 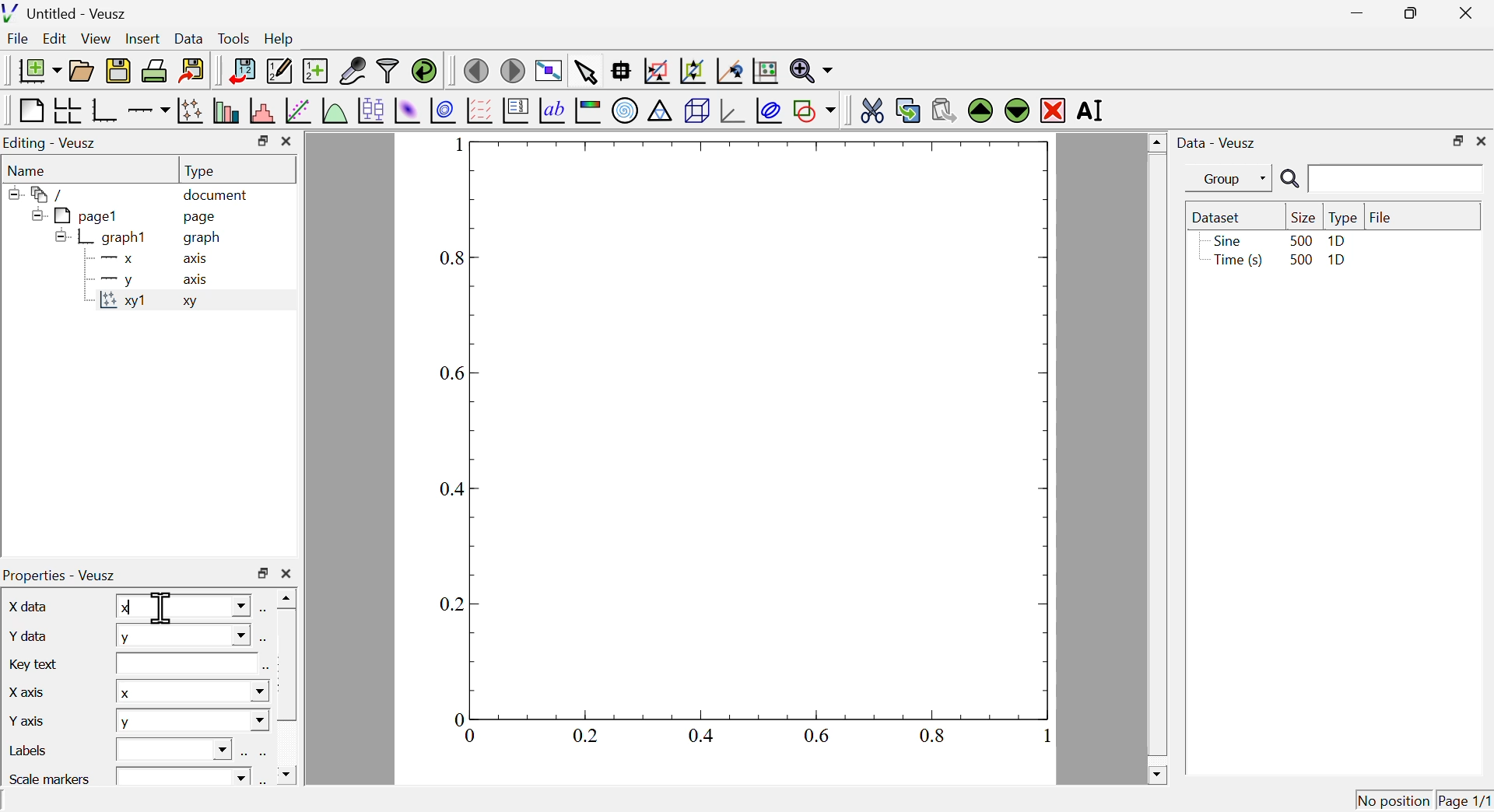 What do you see at coordinates (97, 38) in the screenshot?
I see `view` at bounding box center [97, 38].